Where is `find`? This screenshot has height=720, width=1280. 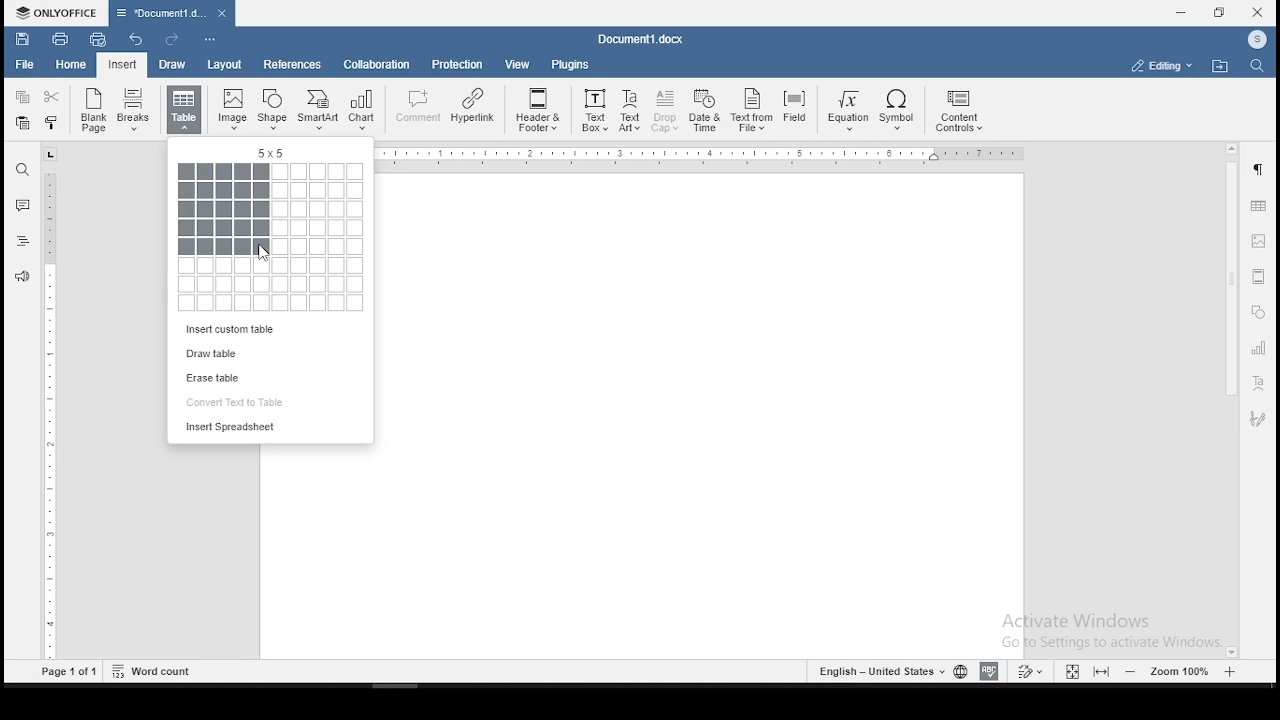 find is located at coordinates (1255, 67).